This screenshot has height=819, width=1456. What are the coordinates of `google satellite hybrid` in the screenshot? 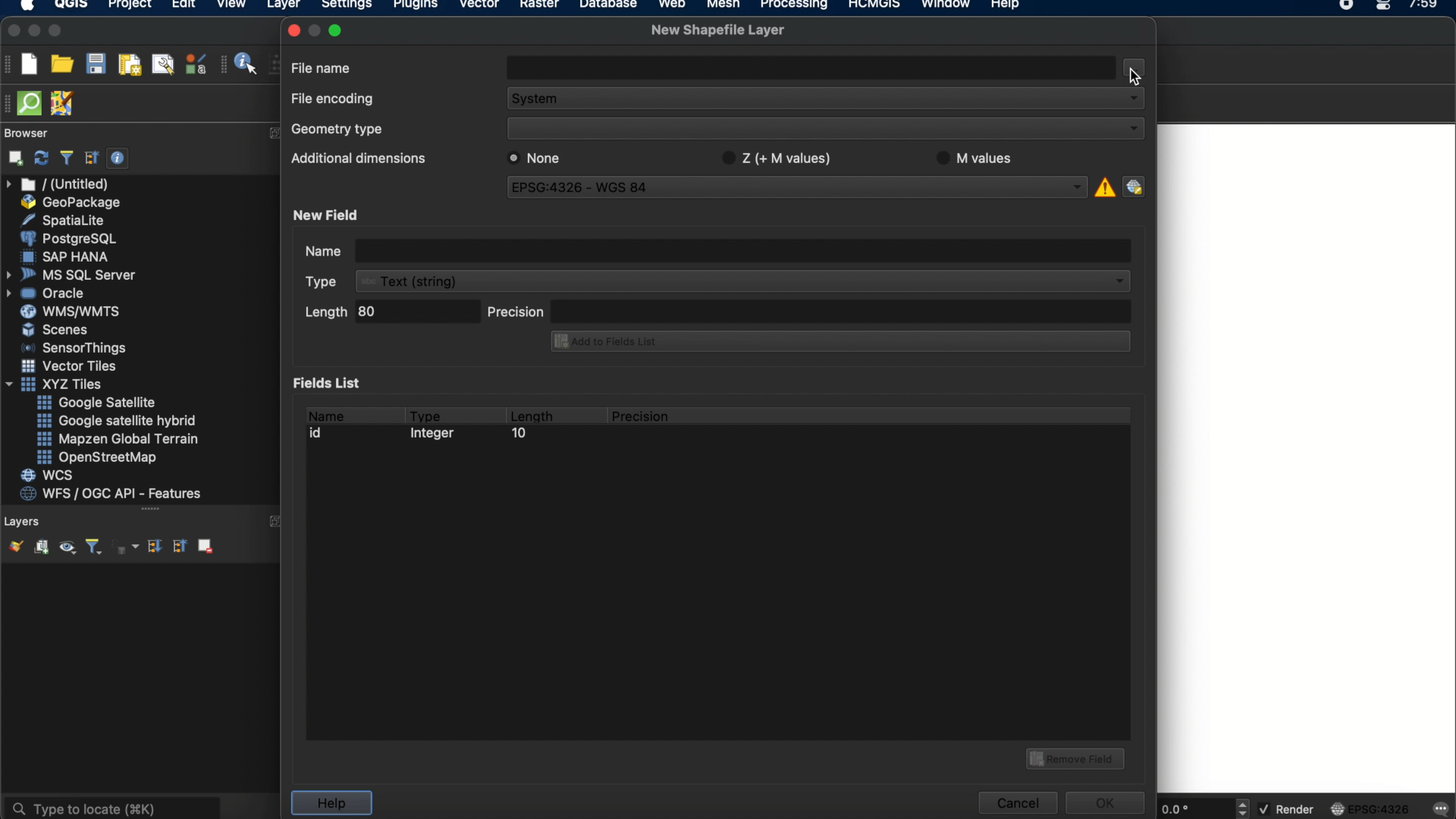 It's located at (118, 421).